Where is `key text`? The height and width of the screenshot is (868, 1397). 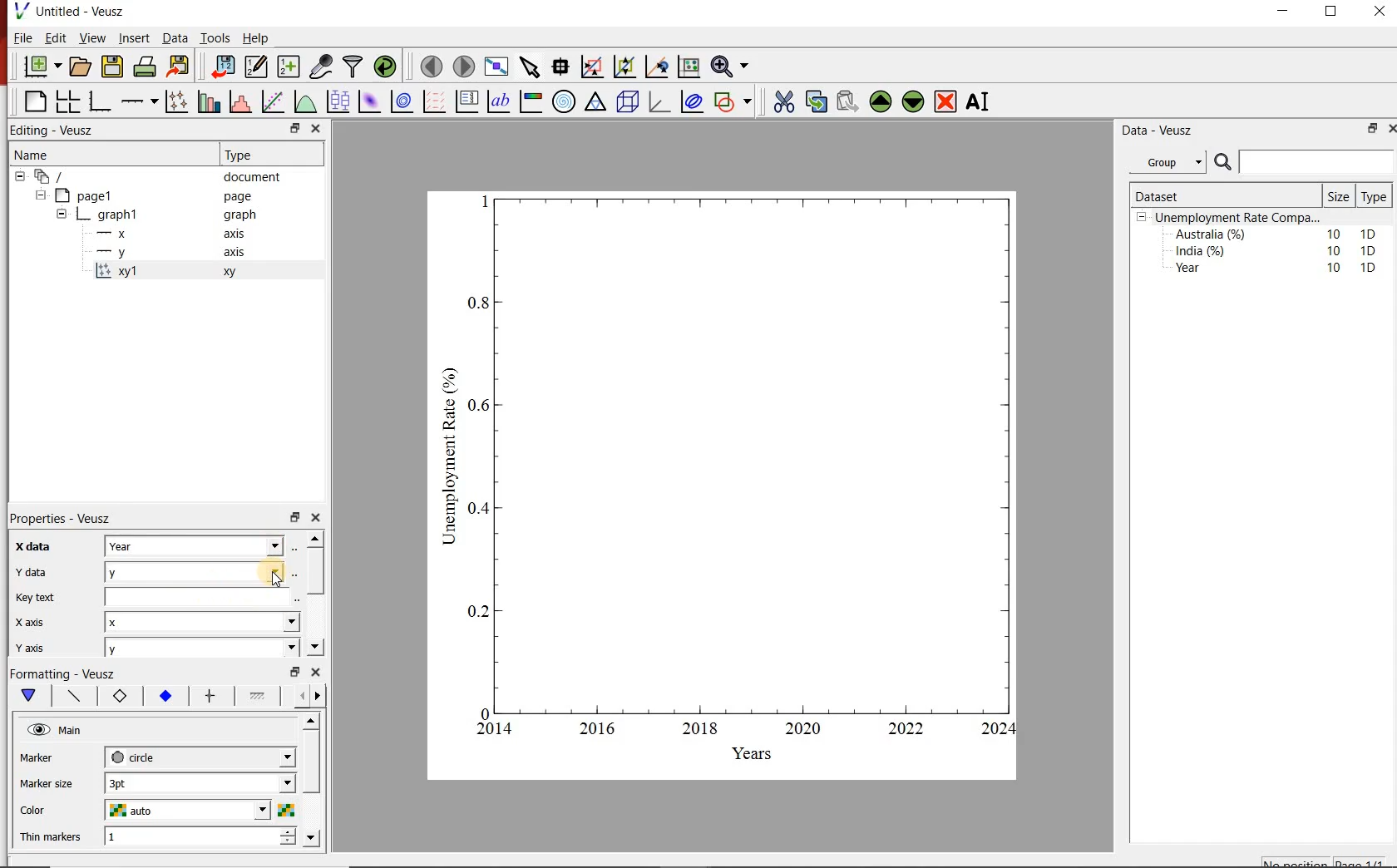
key text is located at coordinates (34, 598).